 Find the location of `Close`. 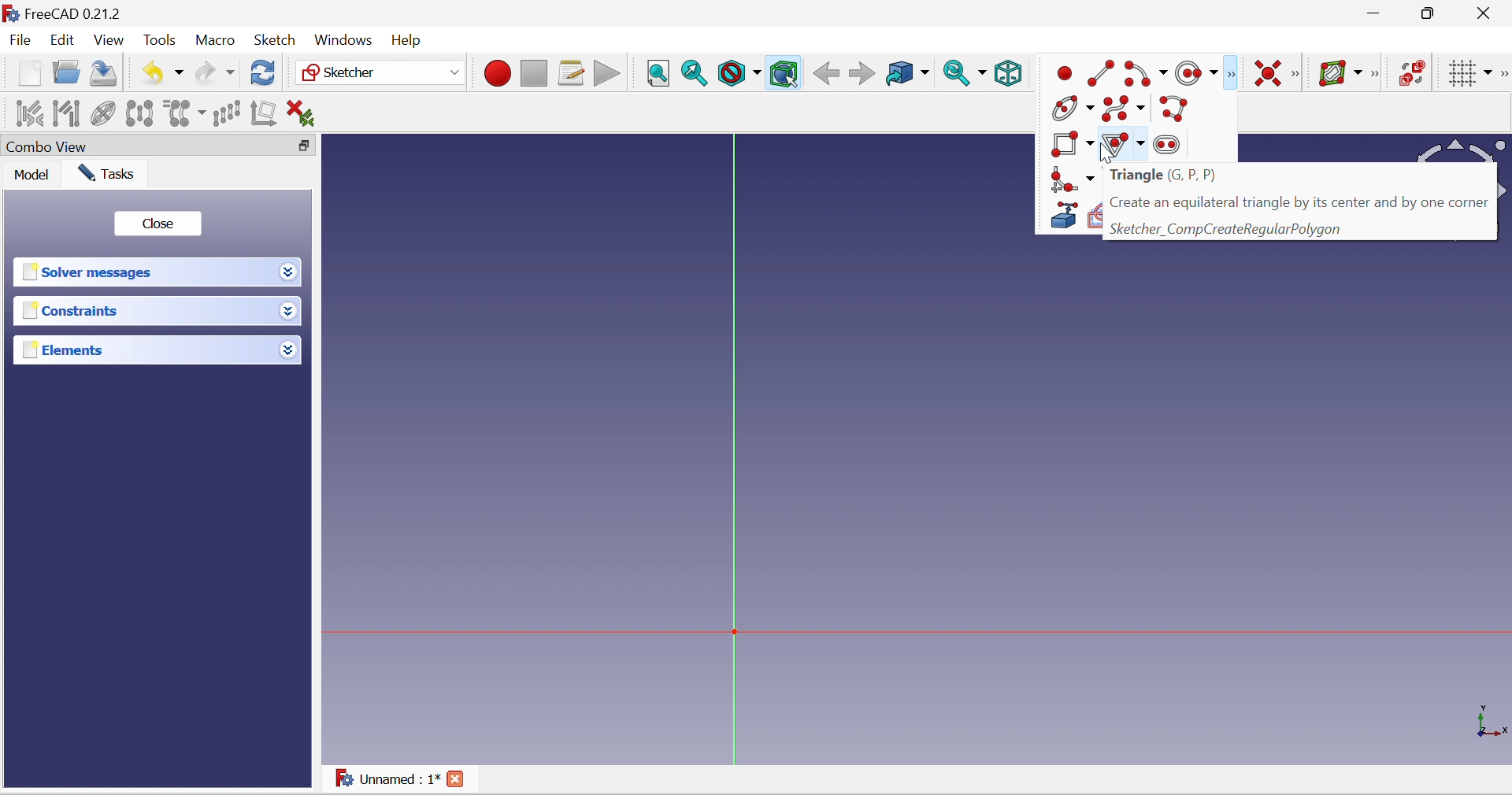

Close is located at coordinates (160, 224).